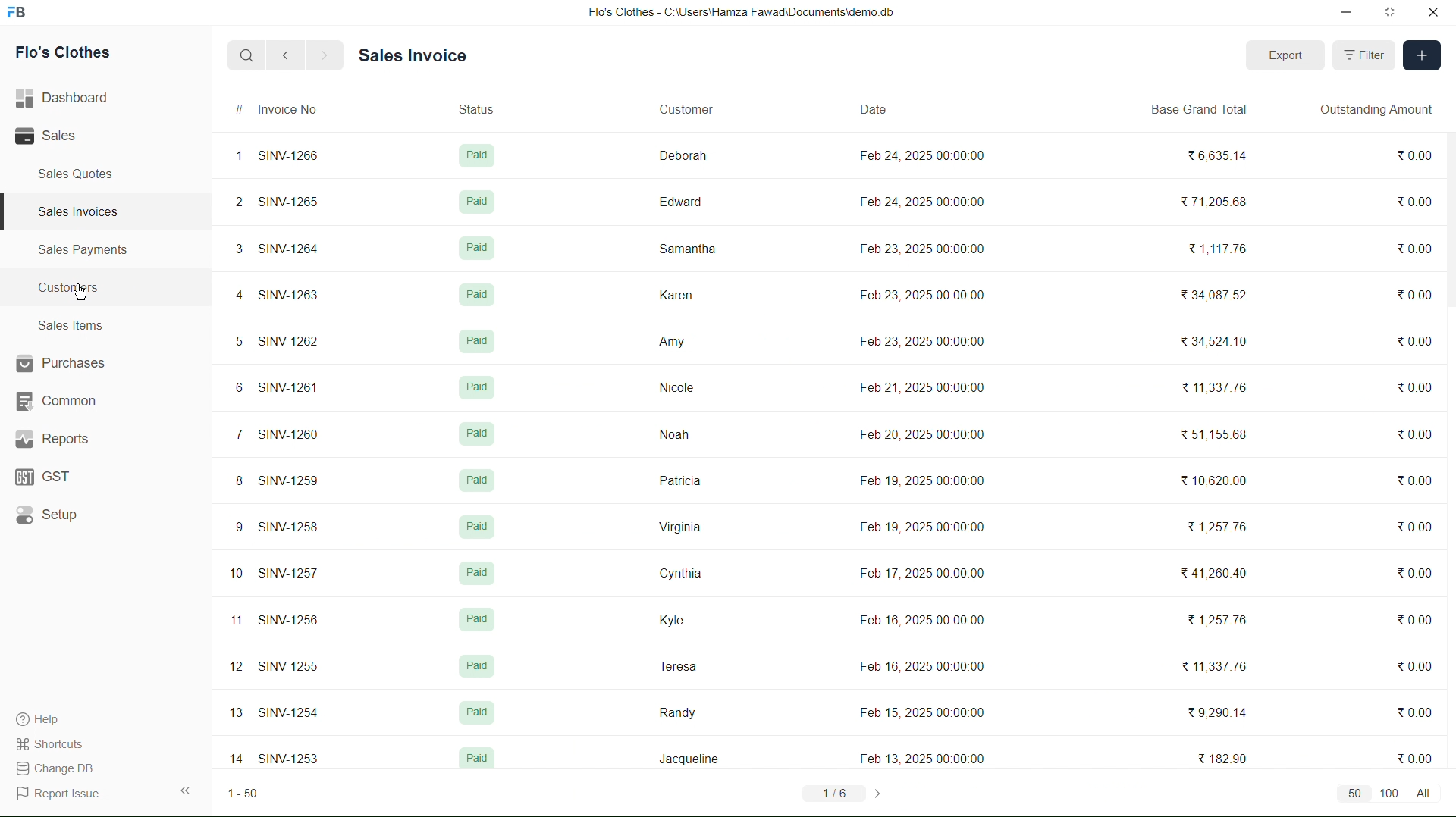  What do you see at coordinates (287, 666) in the screenshot?
I see `SINV-1255` at bounding box center [287, 666].